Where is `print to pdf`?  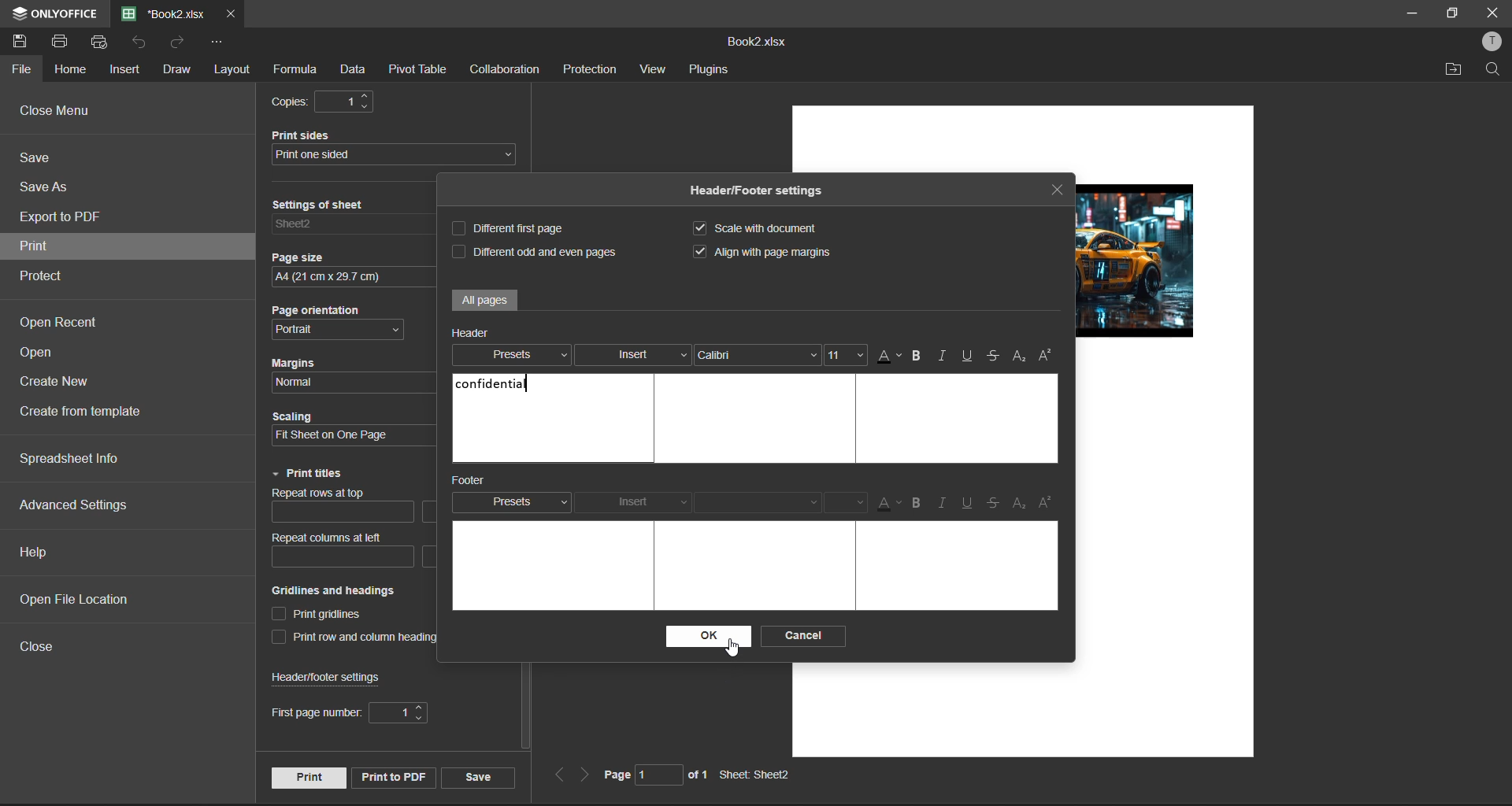 print to pdf is located at coordinates (391, 777).